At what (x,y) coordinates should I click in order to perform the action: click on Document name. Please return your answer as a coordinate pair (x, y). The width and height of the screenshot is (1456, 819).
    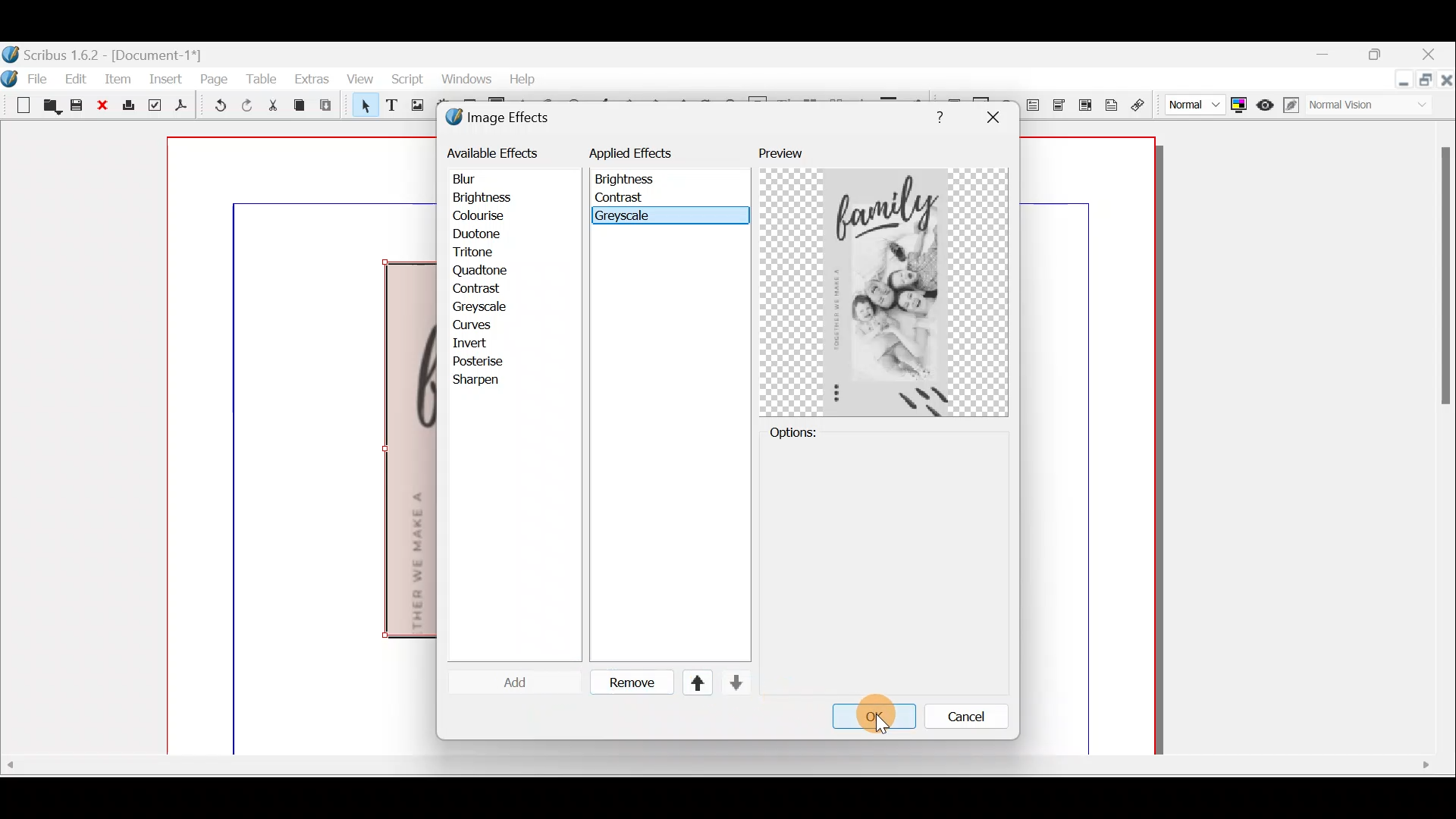
    Looking at the image, I should click on (110, 50).